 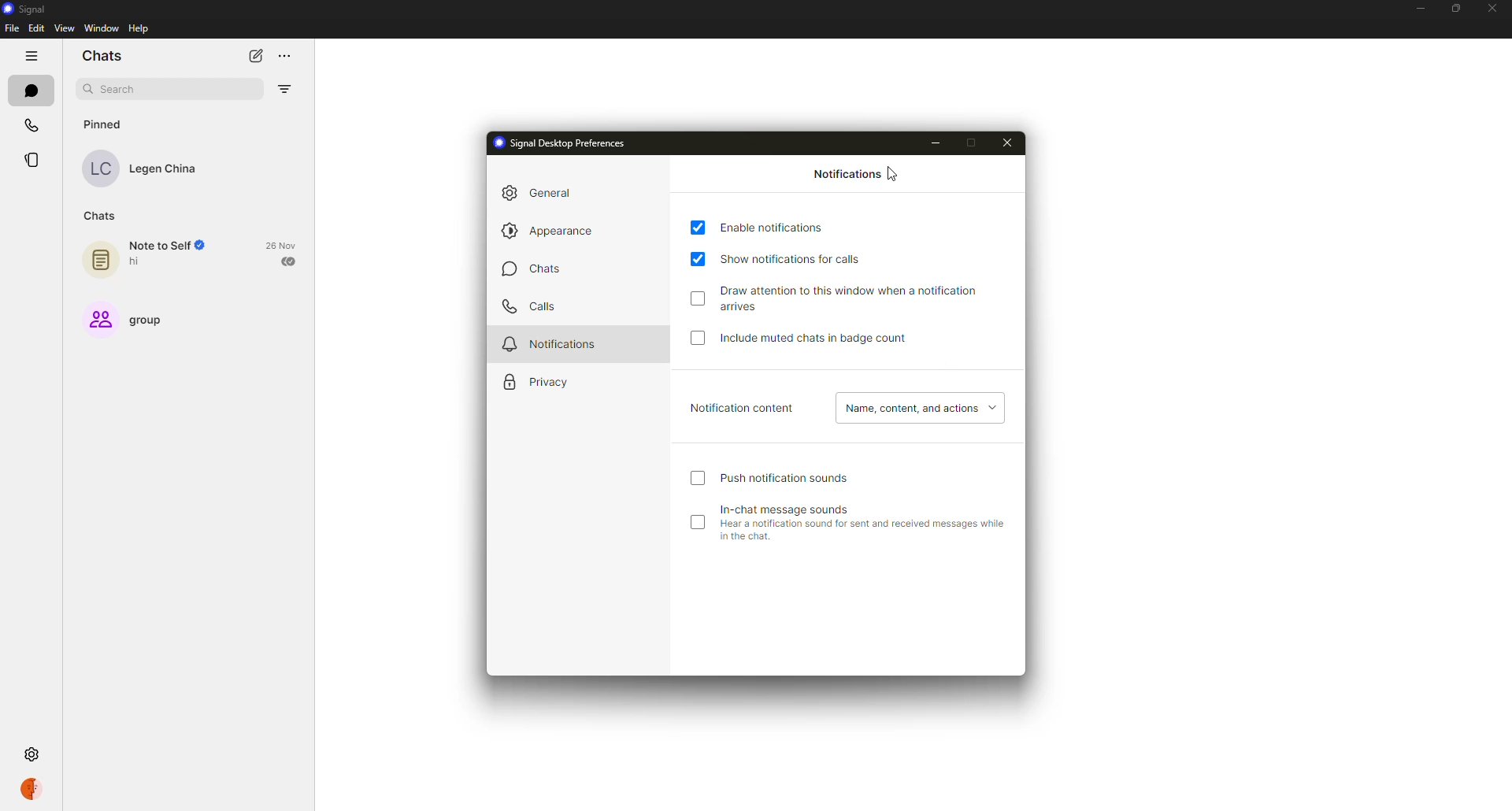 What do you see at coordinates (65, 29) in the screenshot?
I see `view` at bounding box center [65, 29].